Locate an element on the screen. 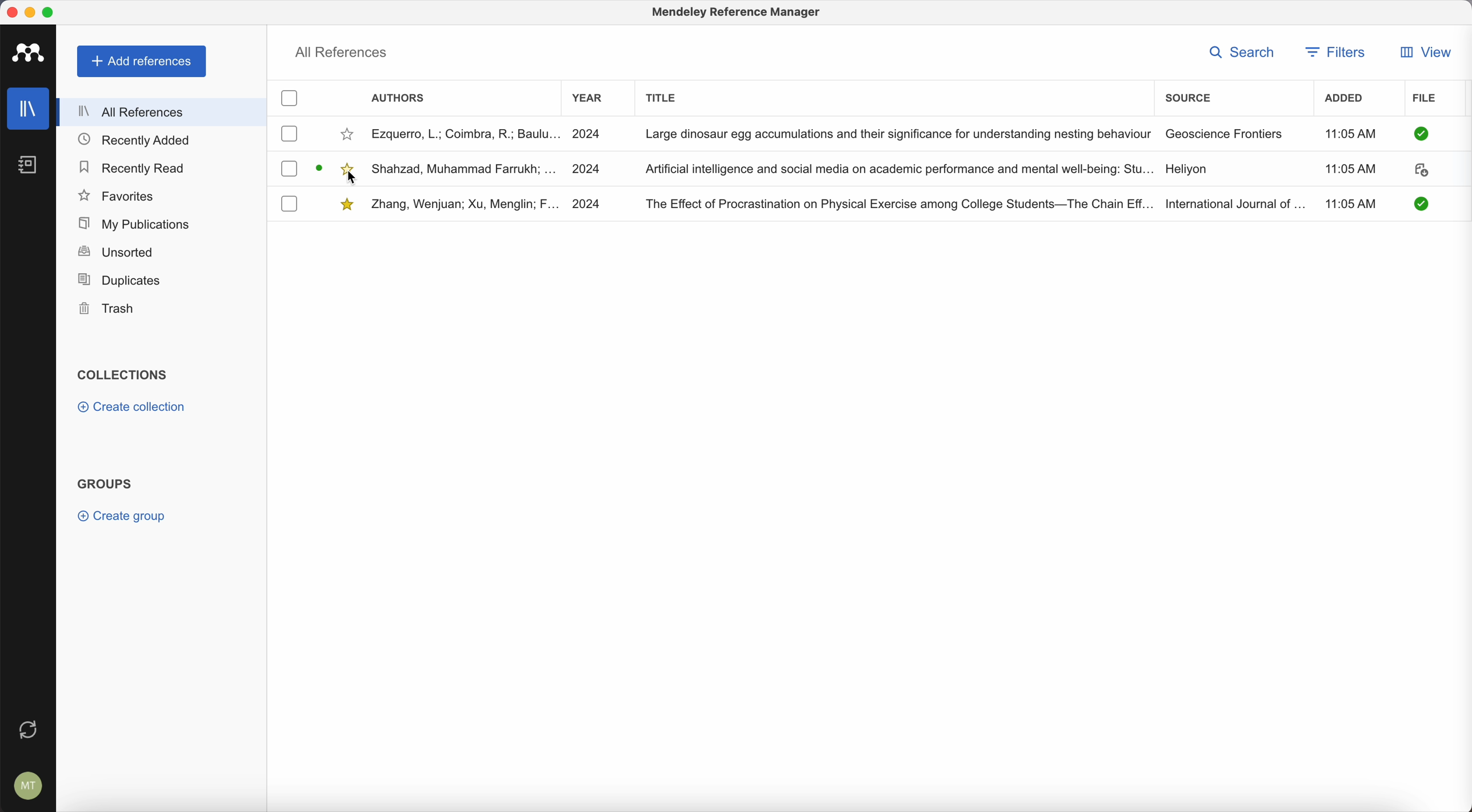 The height and width of the screenshot is (812, 1472). file is located at coordinates (1426, 99).